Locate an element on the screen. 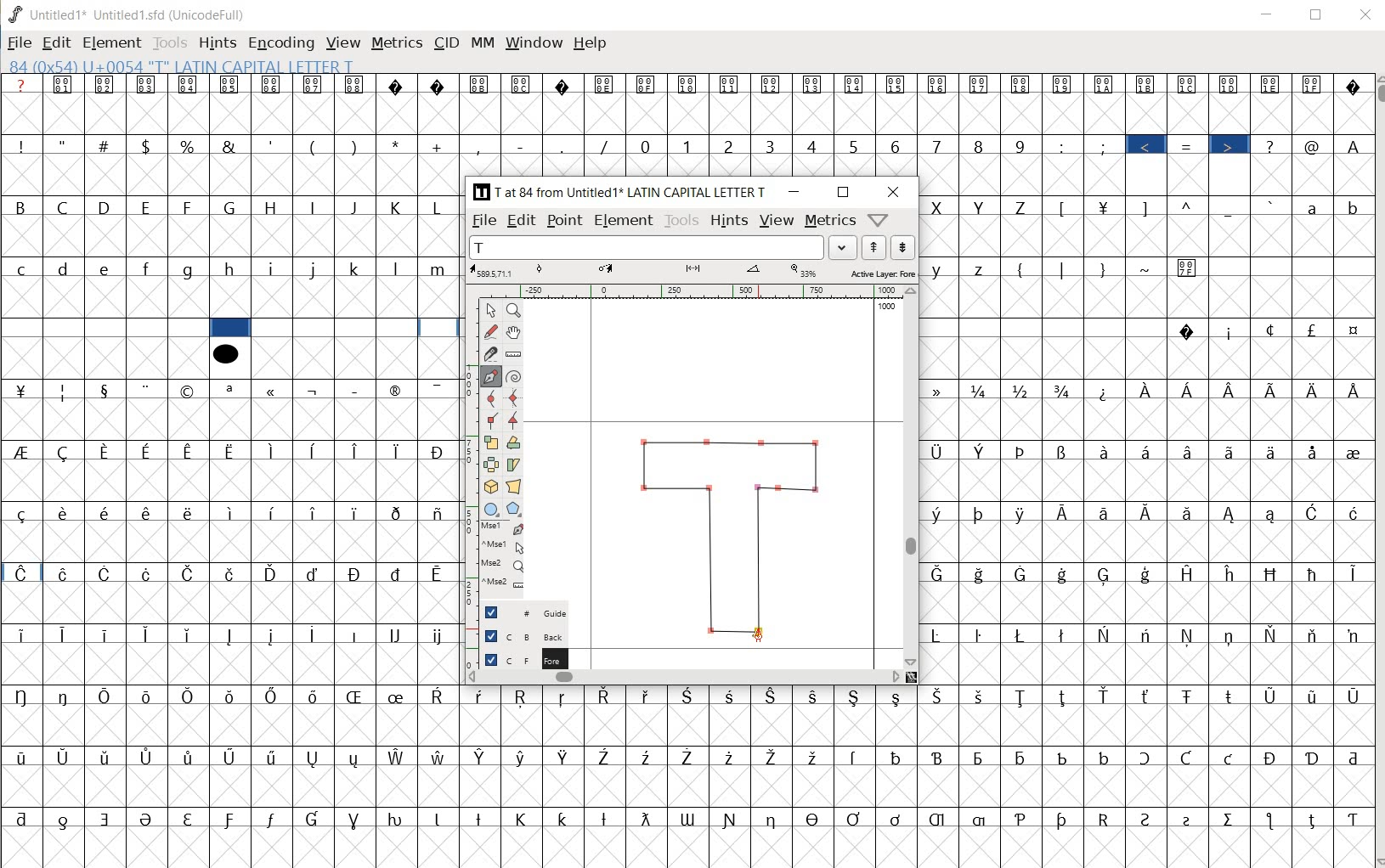 The height and width of the screenshot is (868, 1385). Symbol is located at coordinates (1350, 572).